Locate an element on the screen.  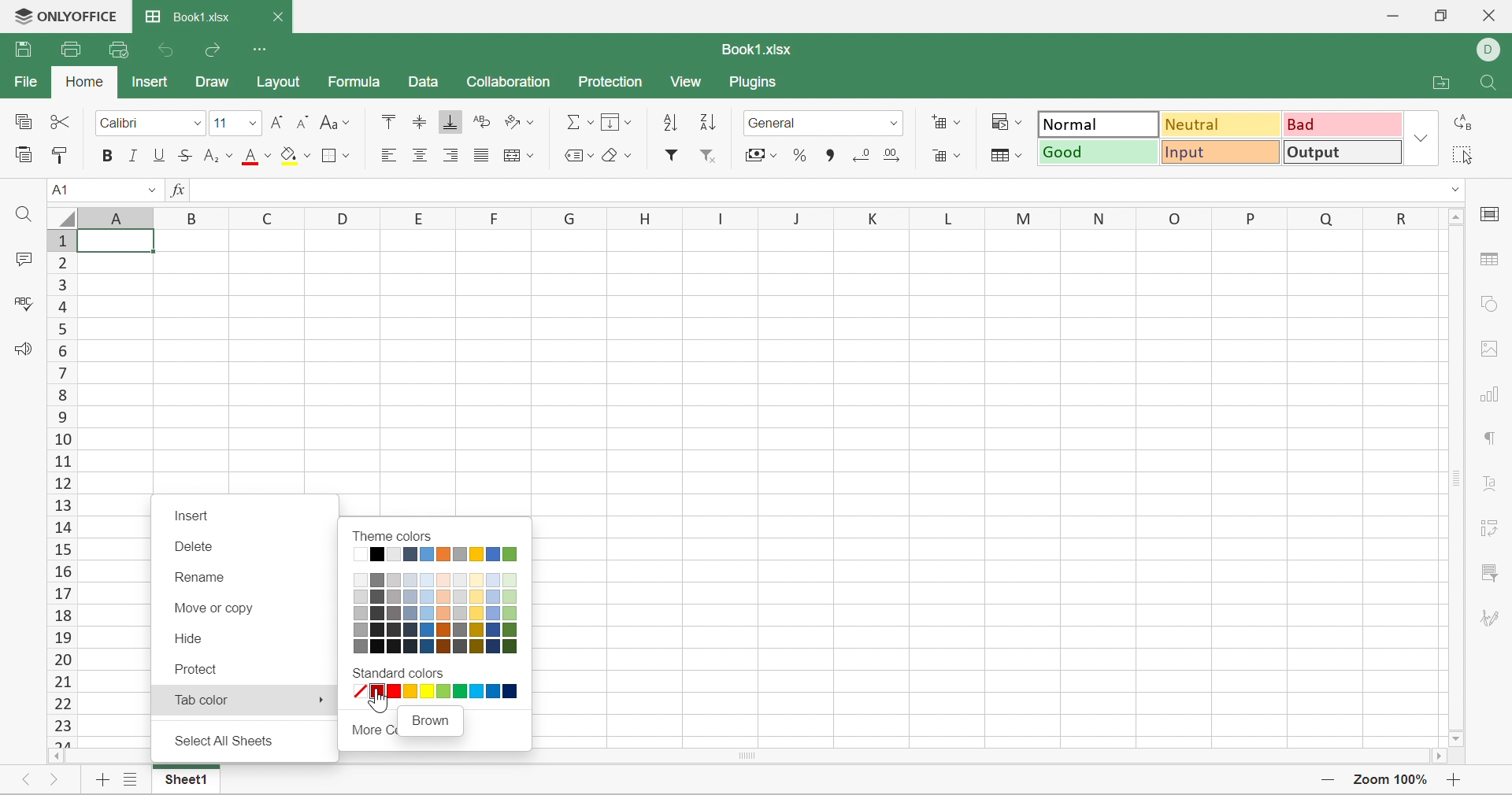
16 is located at coordinates (58, 574).